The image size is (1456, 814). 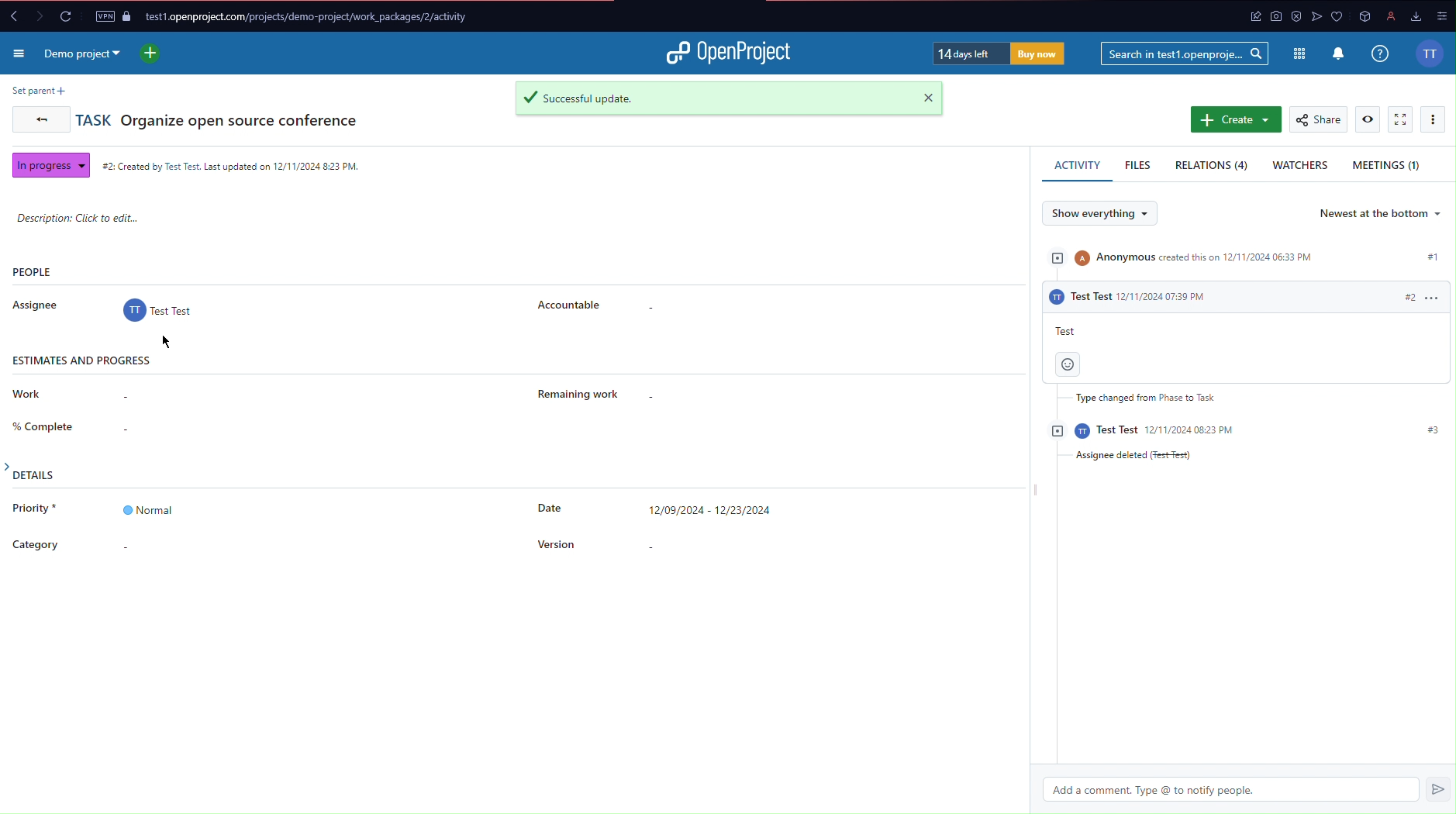 What do you see at coordinates (112, 16) in the screenshot?
I see `VPN and Page Security` at bounding box center [112, 16].